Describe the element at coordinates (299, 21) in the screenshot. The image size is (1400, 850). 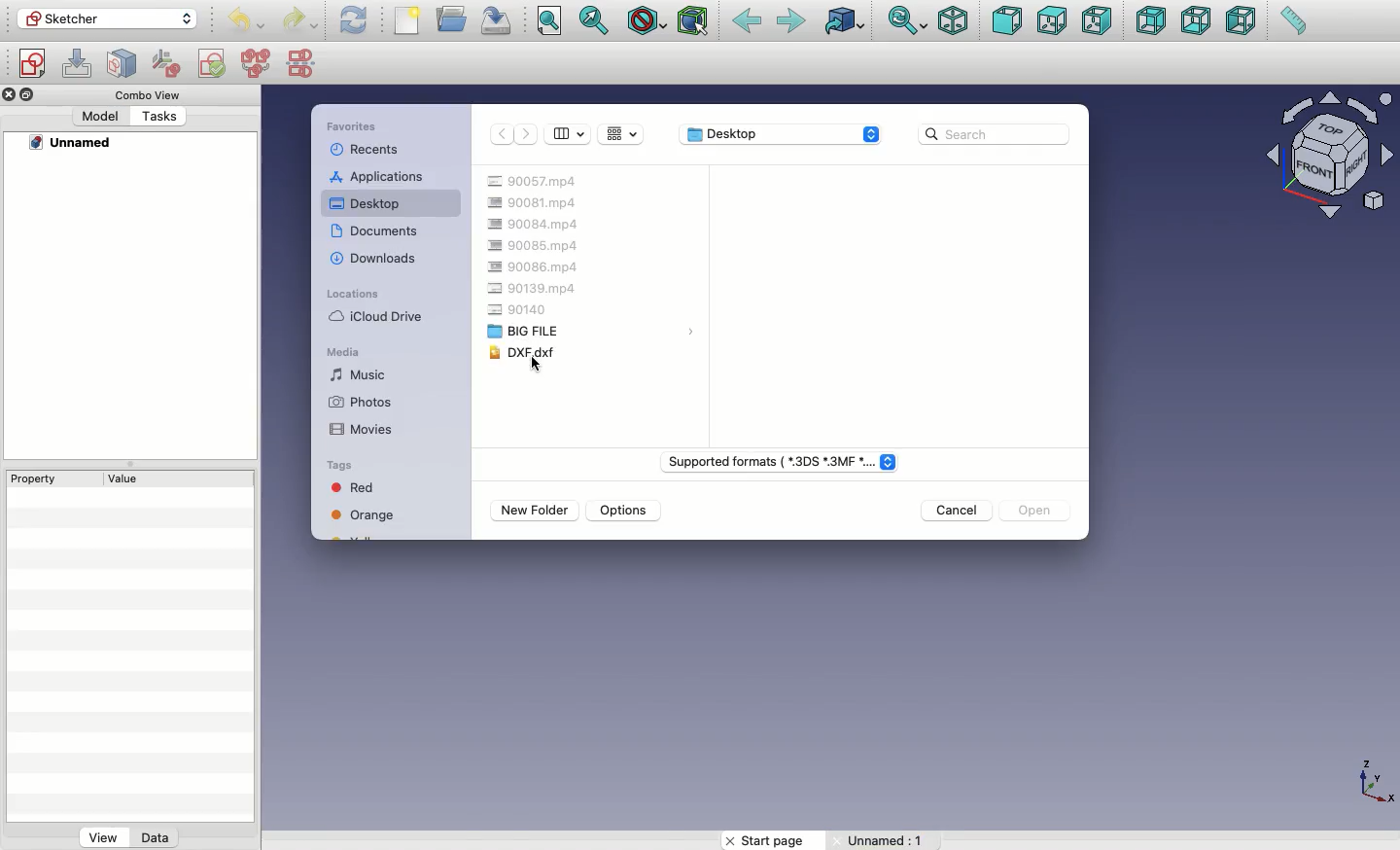
I see `Redo` at that location.